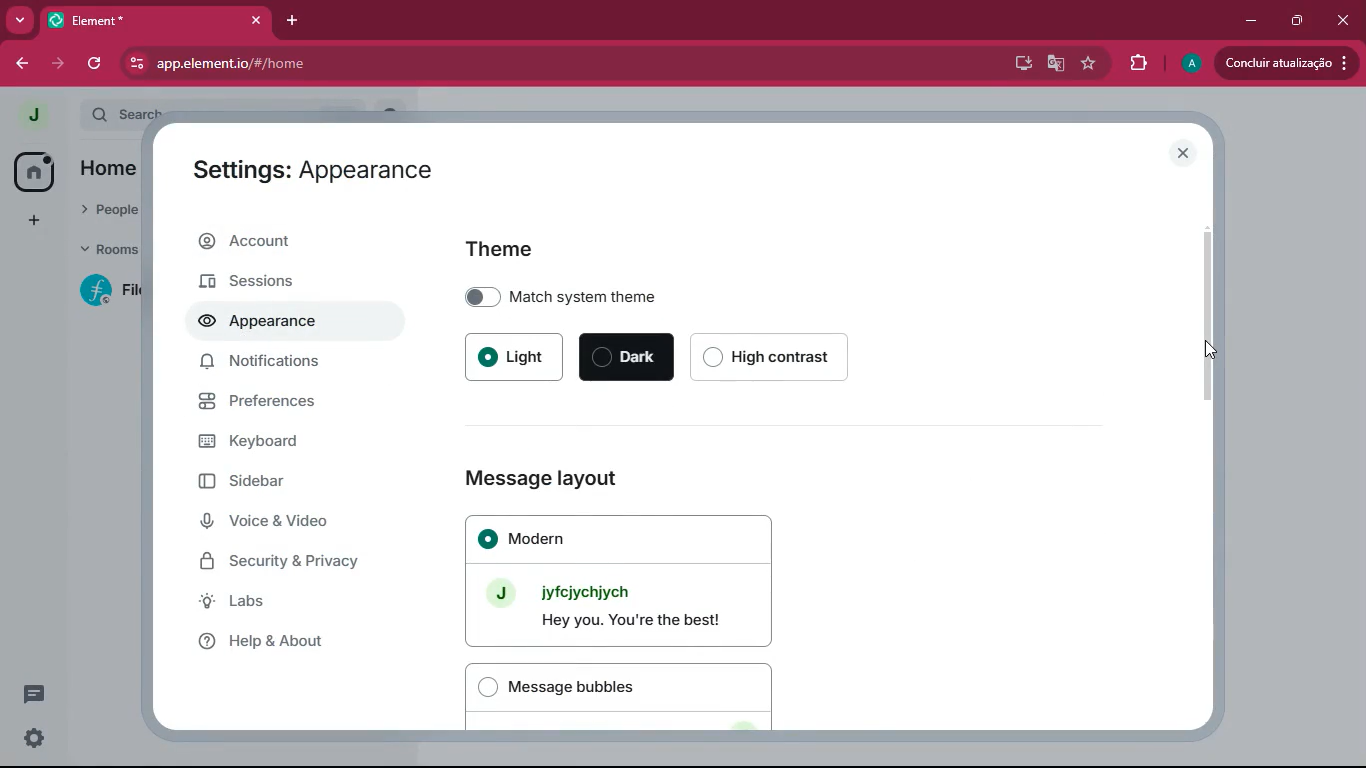 Image resolution: width=1366 pixels, height=768 pixels. Describe the element at coordinates (61, 65) in the screenshot. I see `forward` at that location.